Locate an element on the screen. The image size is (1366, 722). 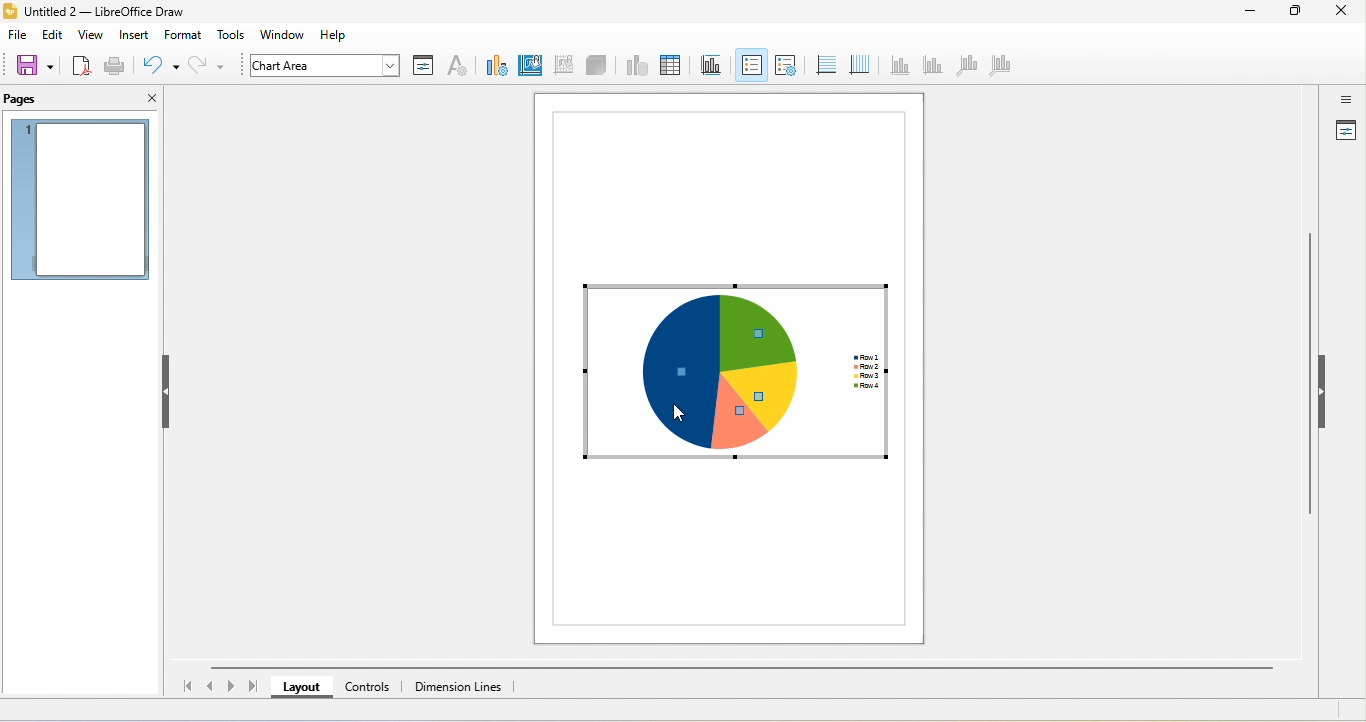
3D view is located at coordinates (598, 66).